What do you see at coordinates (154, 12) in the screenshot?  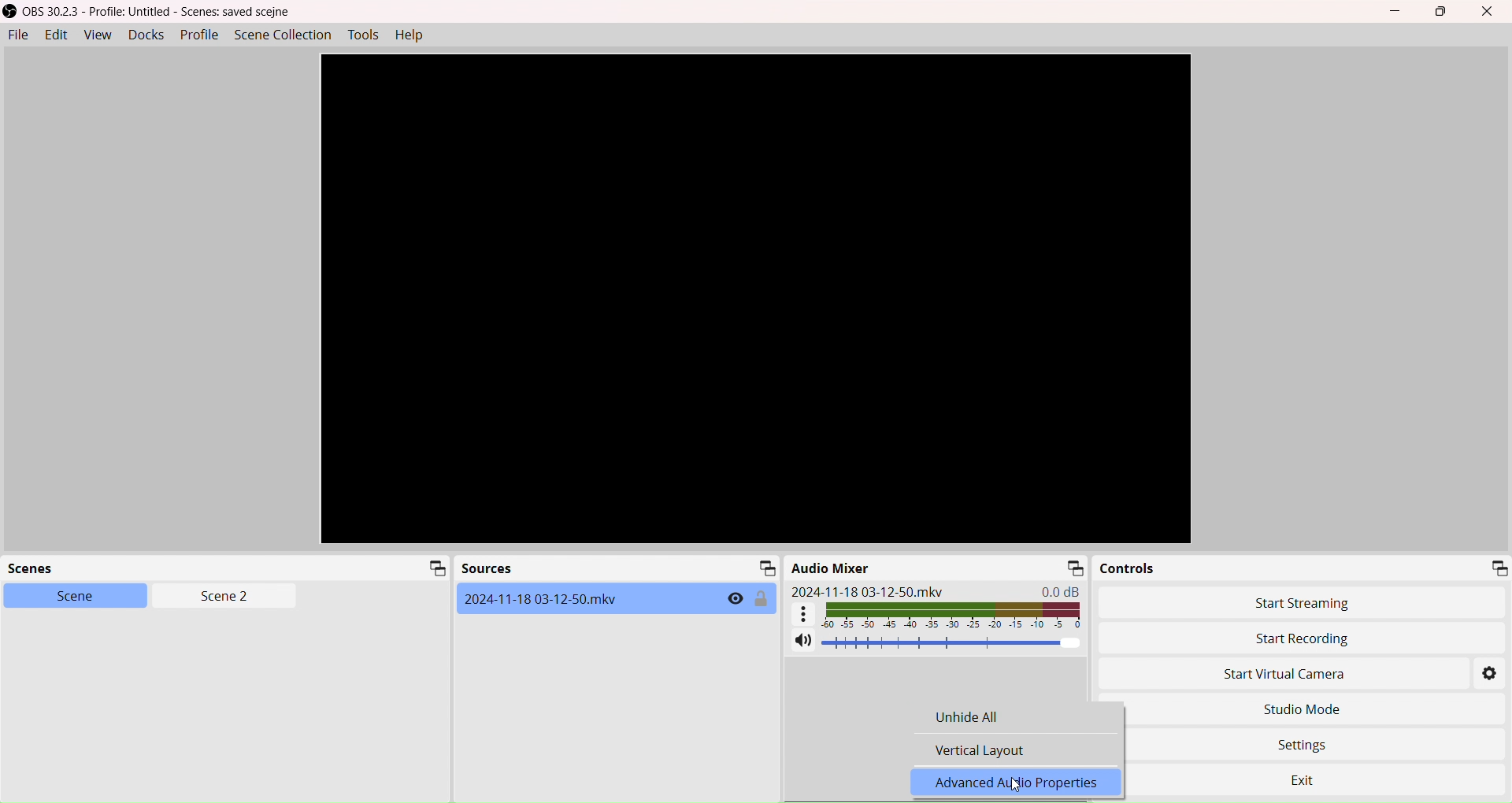 I see `OBS Studio` at bounding box center [154, 12].